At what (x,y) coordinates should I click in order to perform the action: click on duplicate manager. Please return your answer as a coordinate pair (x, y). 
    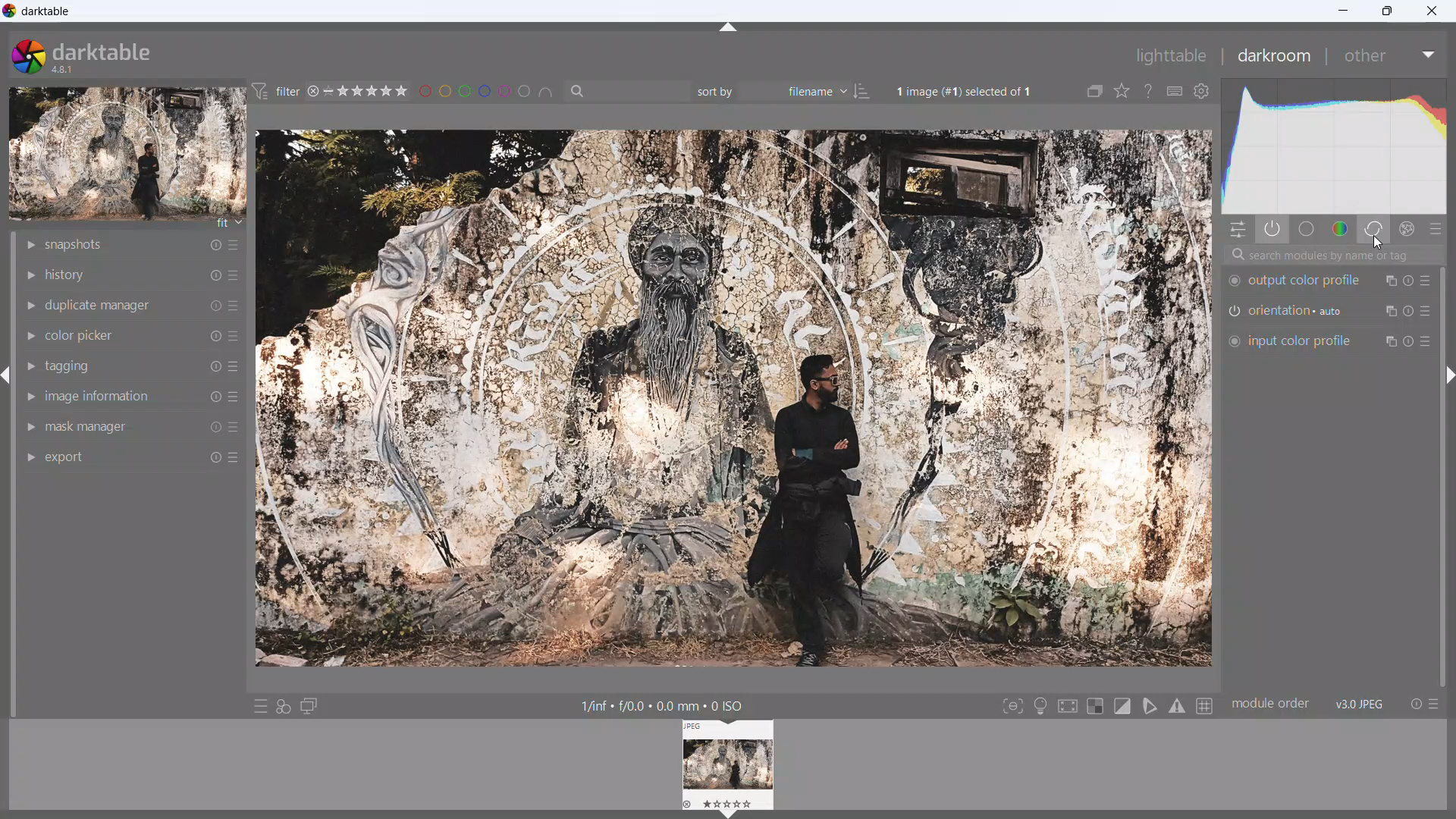
    Looking at the image, I should click on (100, 306).